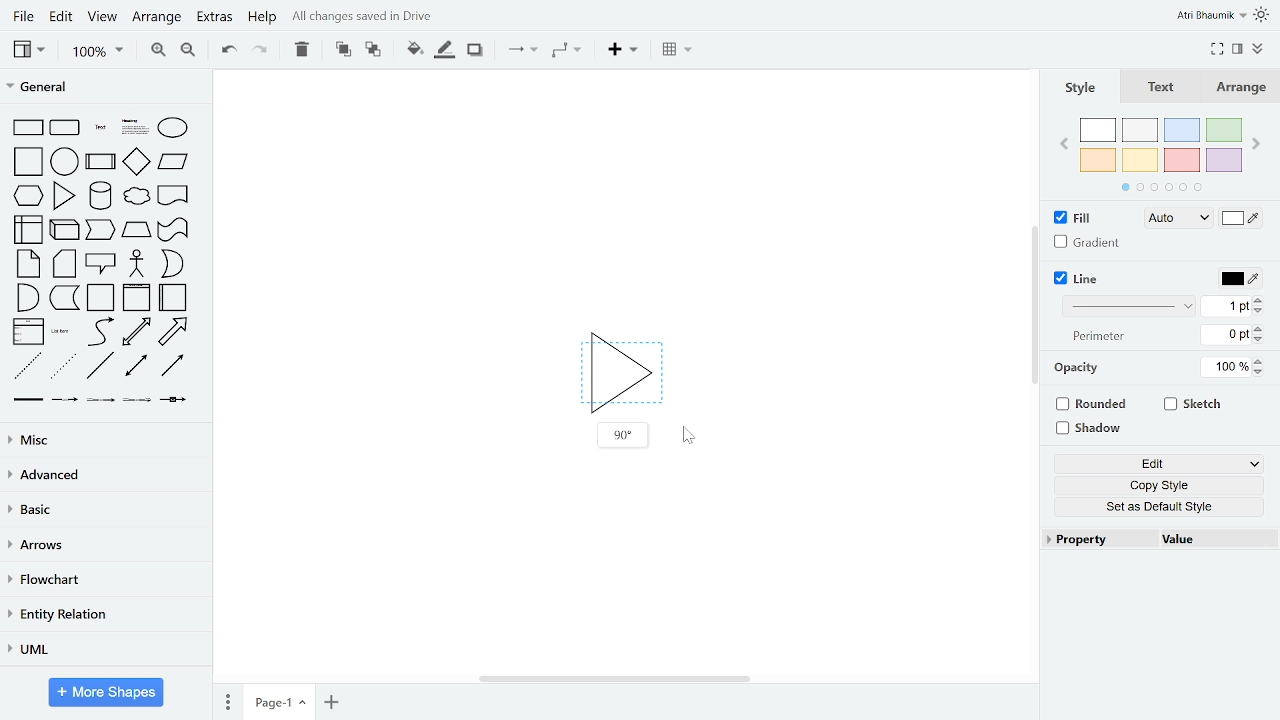  What do you see at coordinates (614, 679) in the screenshot?
I see `horizontal scrollbar` at bounding box center [614, 679].